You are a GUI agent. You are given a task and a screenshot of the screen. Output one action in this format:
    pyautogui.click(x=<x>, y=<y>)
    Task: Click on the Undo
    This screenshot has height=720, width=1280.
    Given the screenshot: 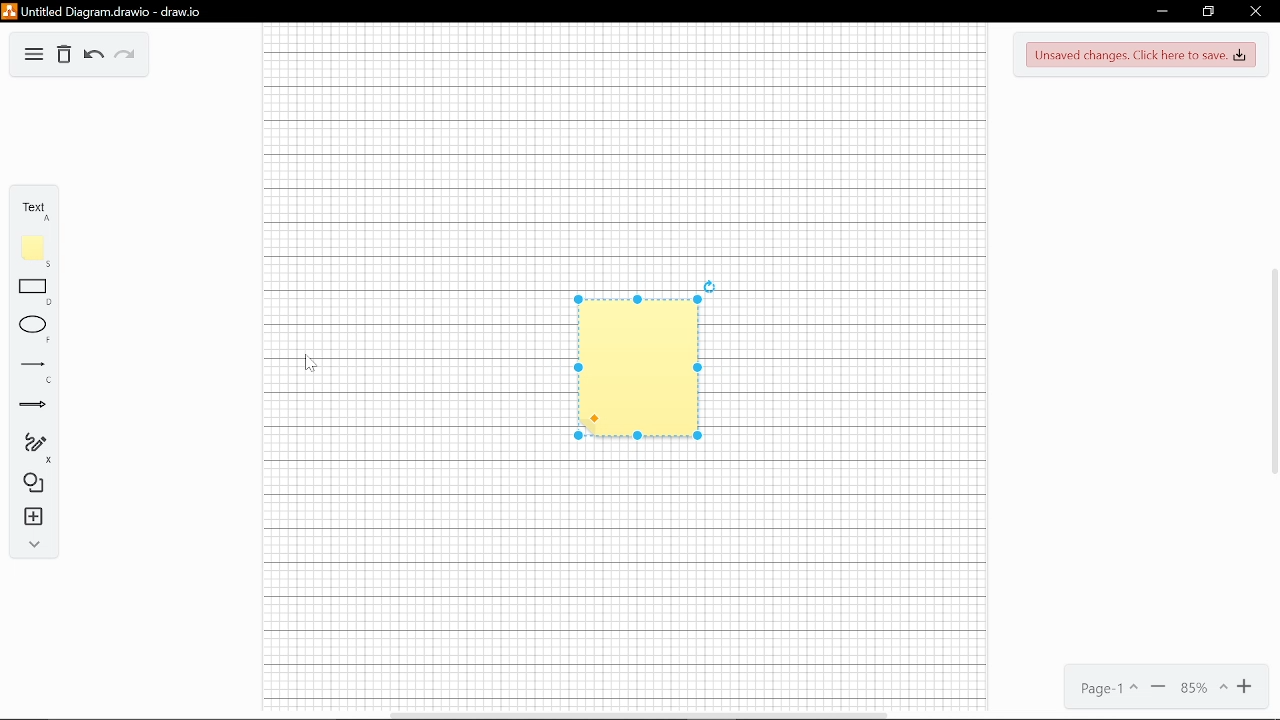 What is the action you would take?
    pyautogui.click(x=94, y=56)
    